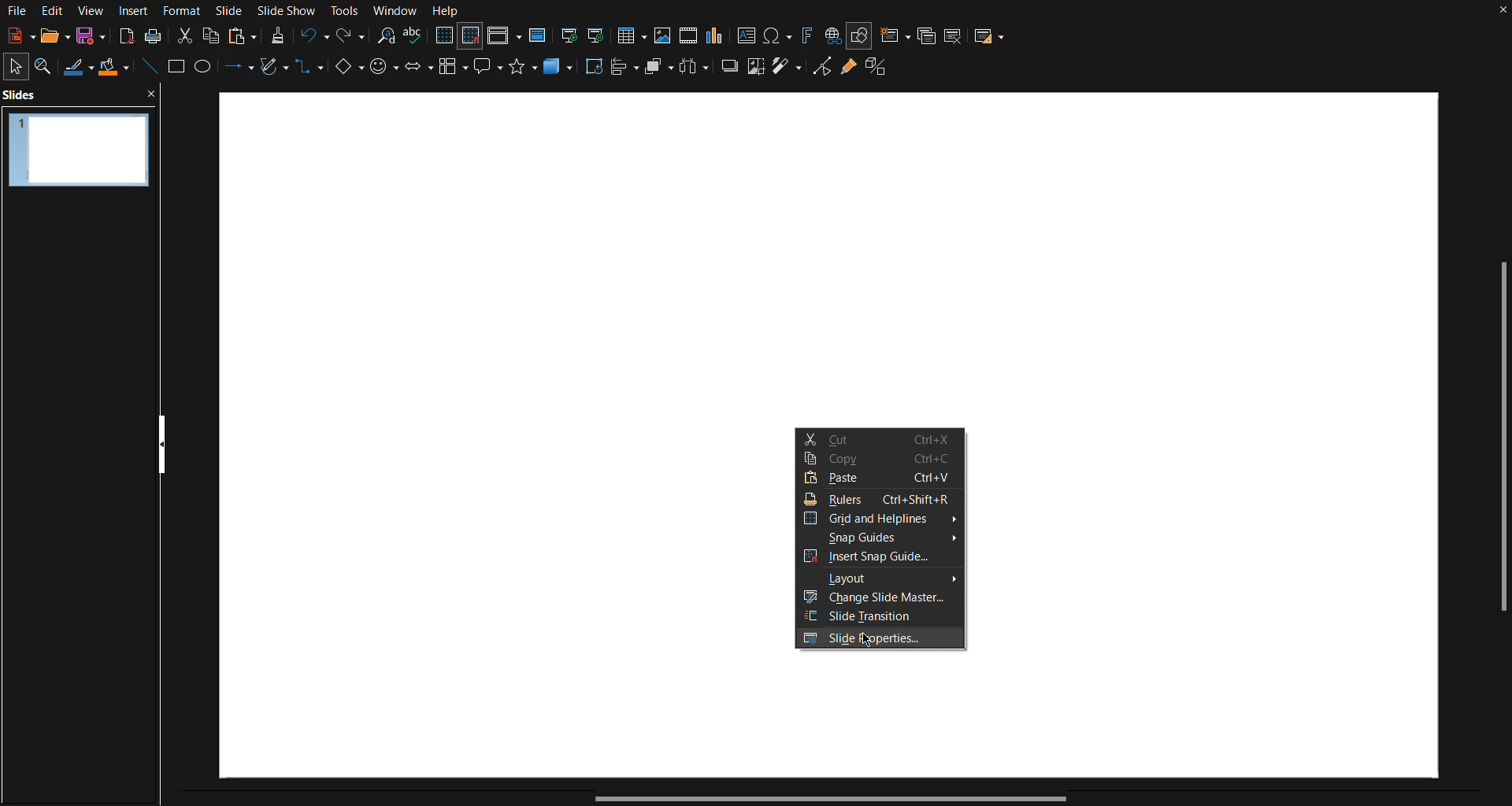 Image resolution: width=1512 pixels, height=806 pixels. I want to click on Copy, so click(880, 460).